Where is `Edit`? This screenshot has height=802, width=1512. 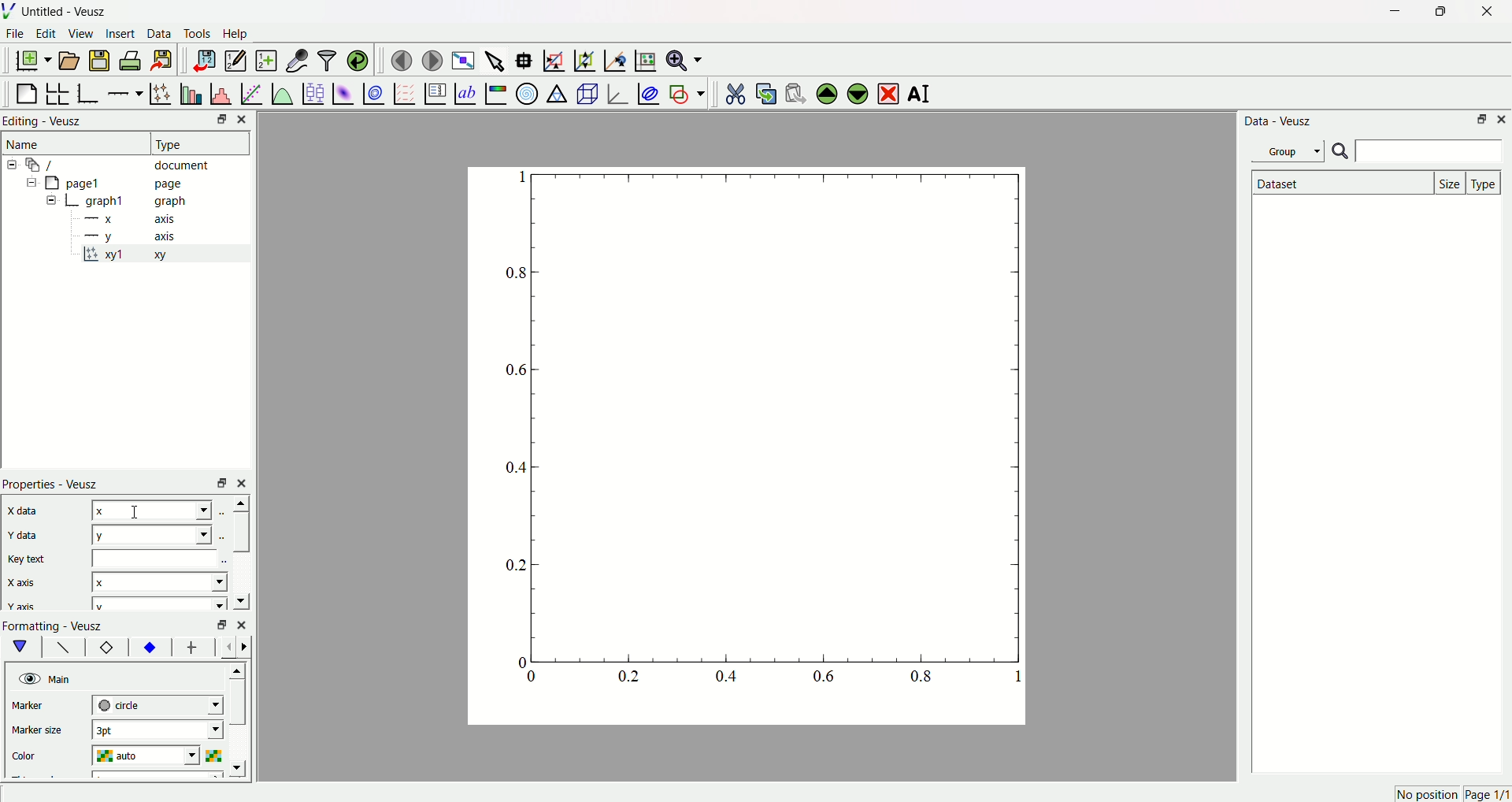
Edit is located at coordinates (46, 35).